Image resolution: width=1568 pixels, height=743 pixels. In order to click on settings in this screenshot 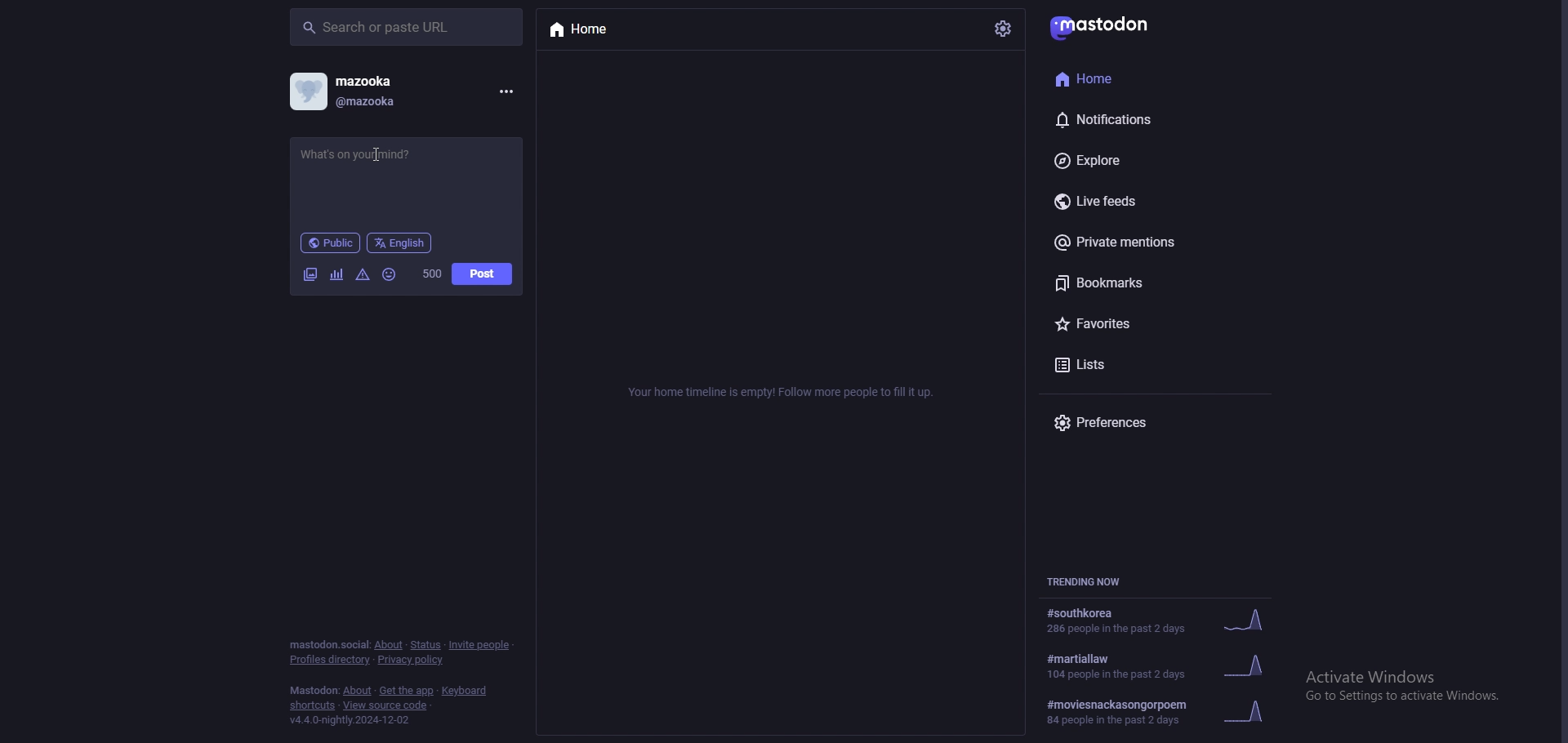, I will do `click(1004, 29)`.